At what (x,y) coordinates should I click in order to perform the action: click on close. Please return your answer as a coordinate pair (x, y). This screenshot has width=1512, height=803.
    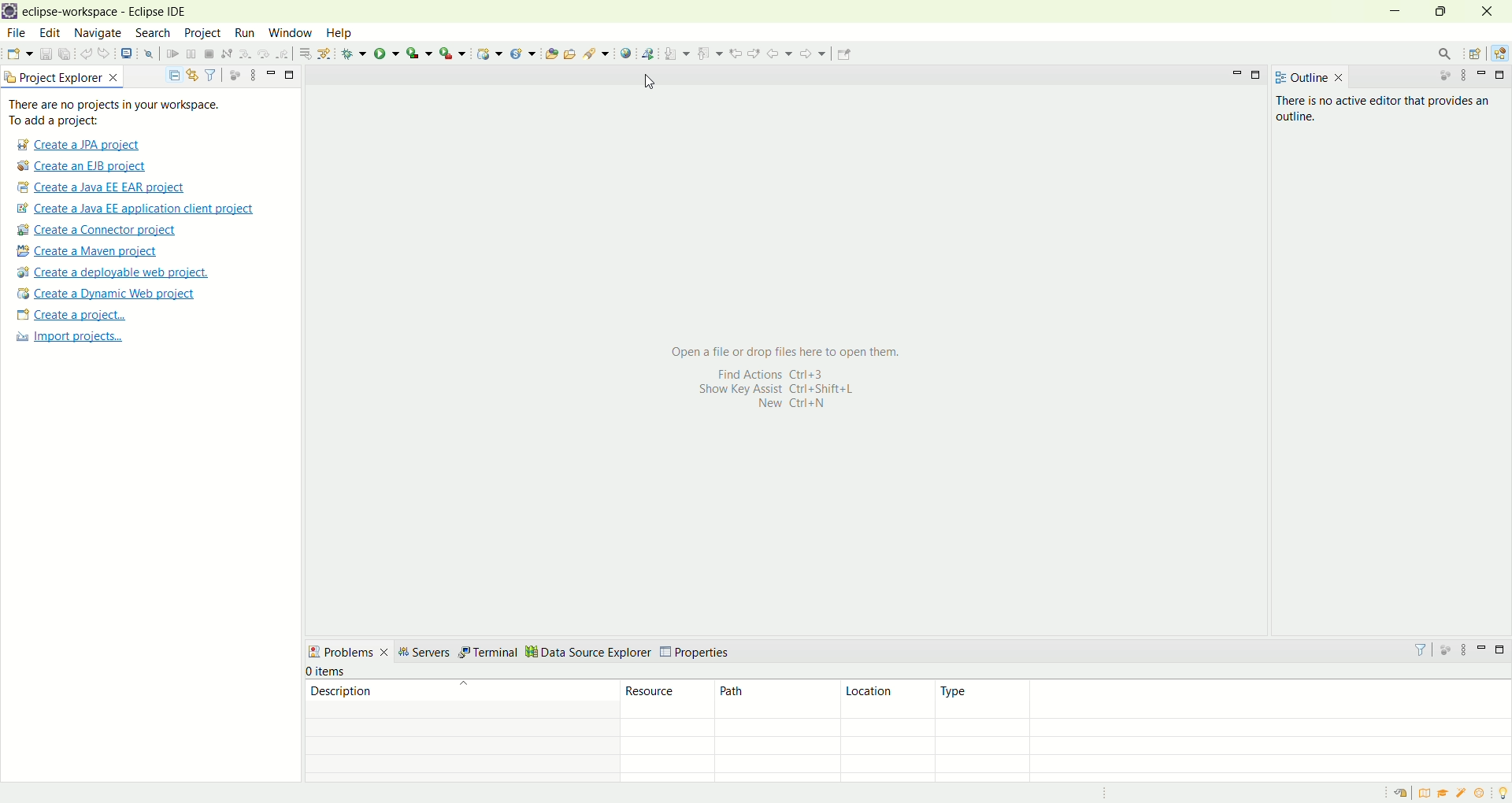
    Looking at the image, I should click on (1492, 11).